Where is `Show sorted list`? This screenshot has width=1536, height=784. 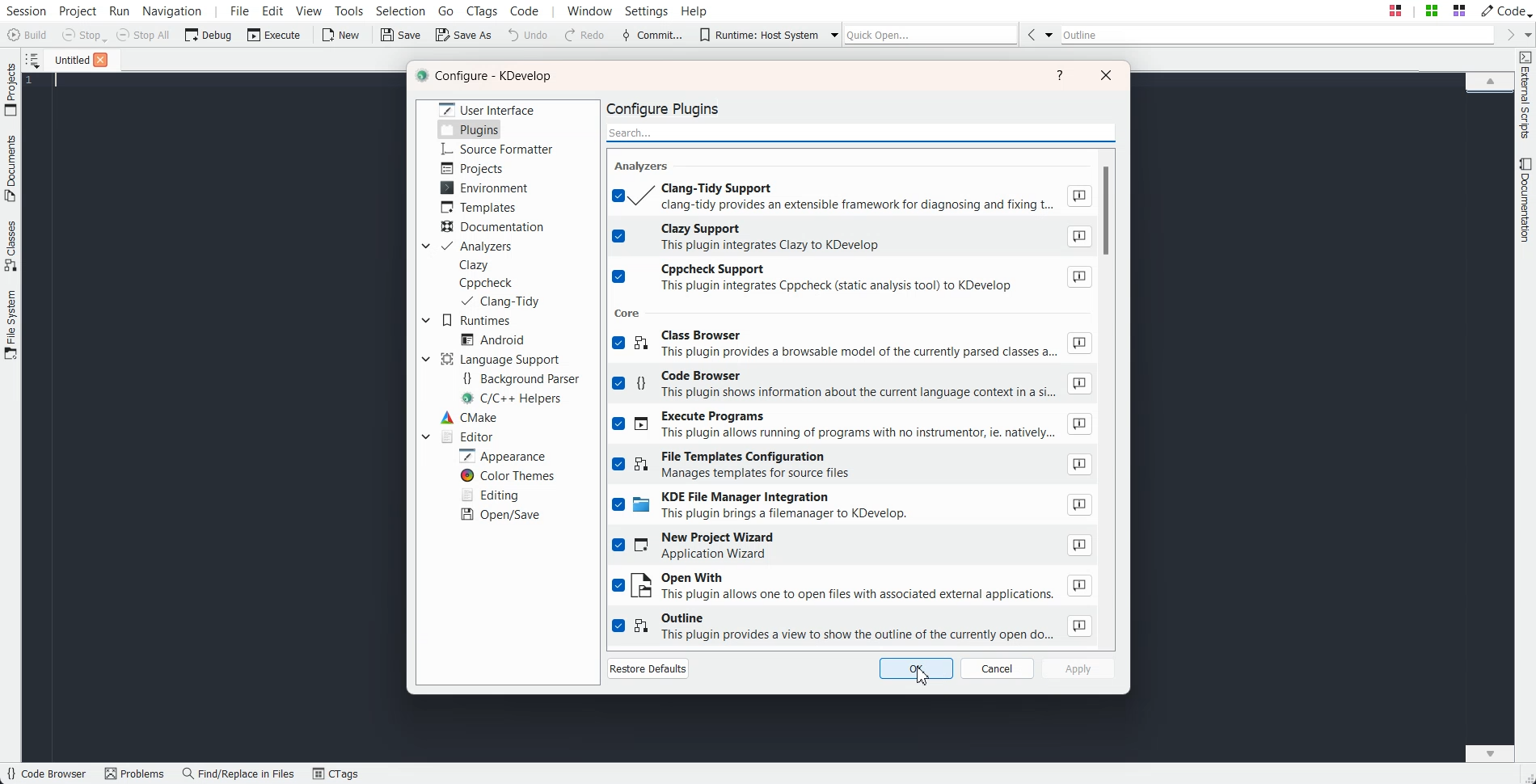
Show sorted list is located at coordinates (32, 60).